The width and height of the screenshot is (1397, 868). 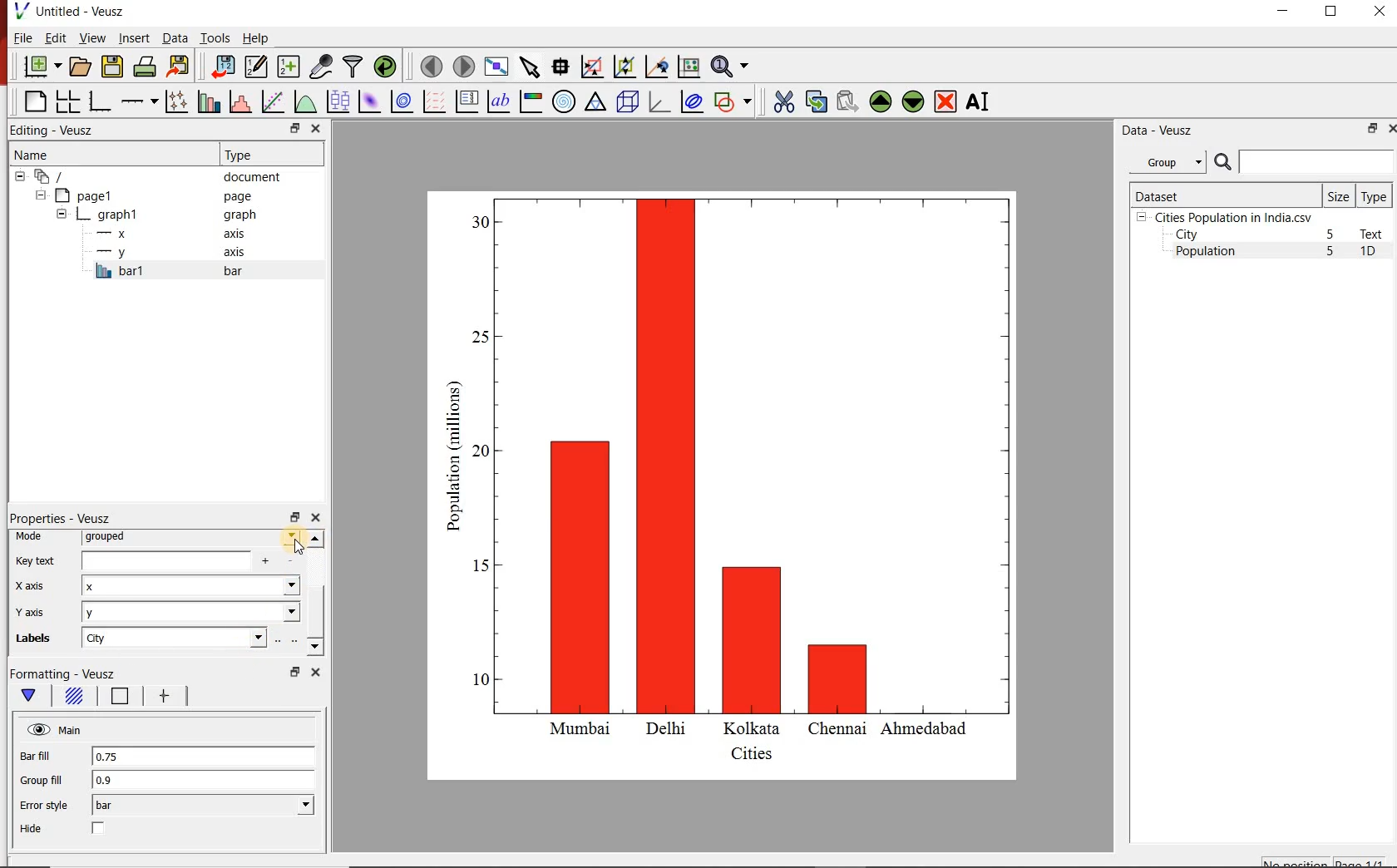 What do you see at coordinates (692, 102) in the screenshot?
I see `plot covariance ellipses` at bounding box center [692, 102].